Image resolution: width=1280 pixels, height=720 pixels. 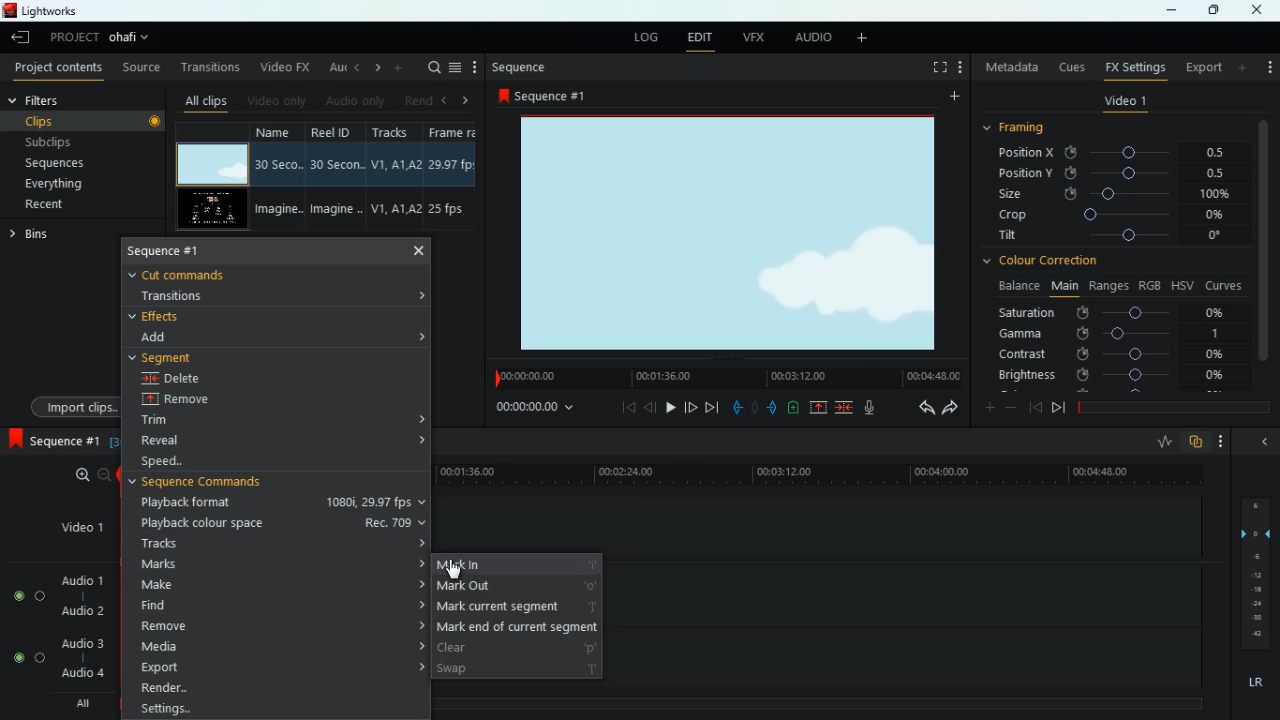 What do you see at coordinates (1261, 443) in the screenshot?
I see `close` at bounding box center [1261, 443].